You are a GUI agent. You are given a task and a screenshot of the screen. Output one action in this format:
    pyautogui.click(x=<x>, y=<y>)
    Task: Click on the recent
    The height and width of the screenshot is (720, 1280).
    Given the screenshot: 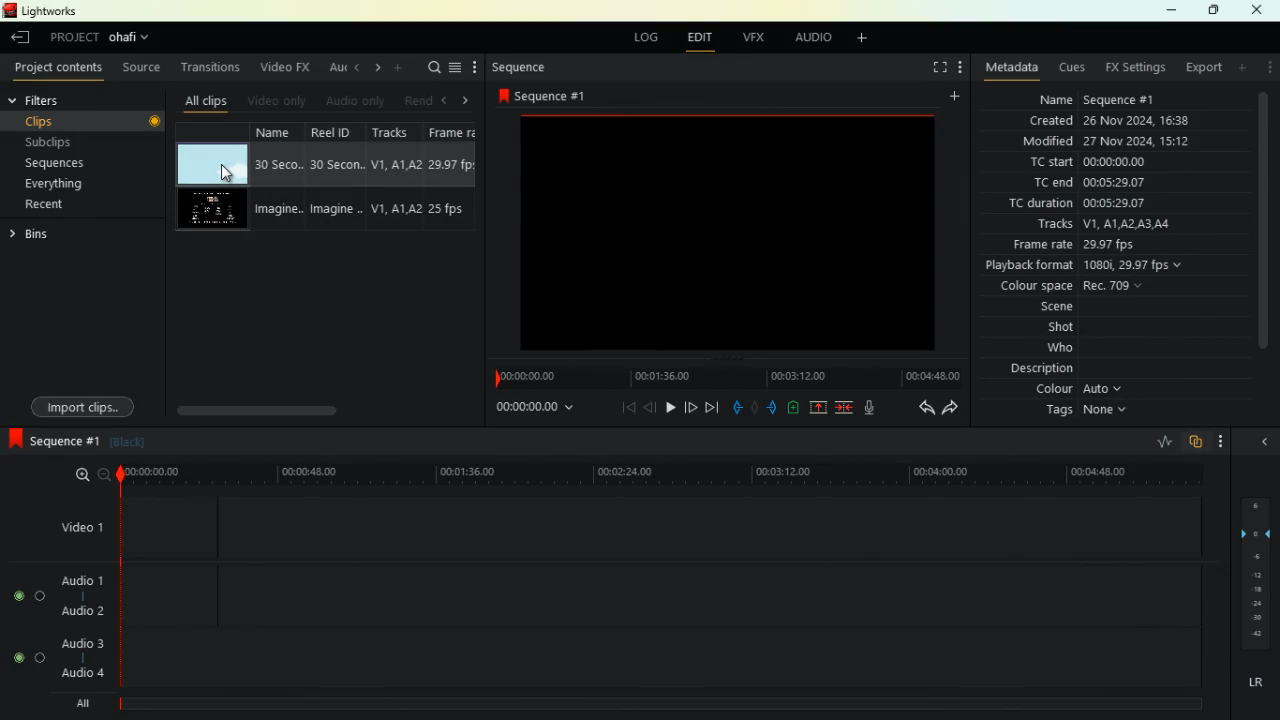 What is the action you would take?
    pyautogui.click(x=47, y=204)
    